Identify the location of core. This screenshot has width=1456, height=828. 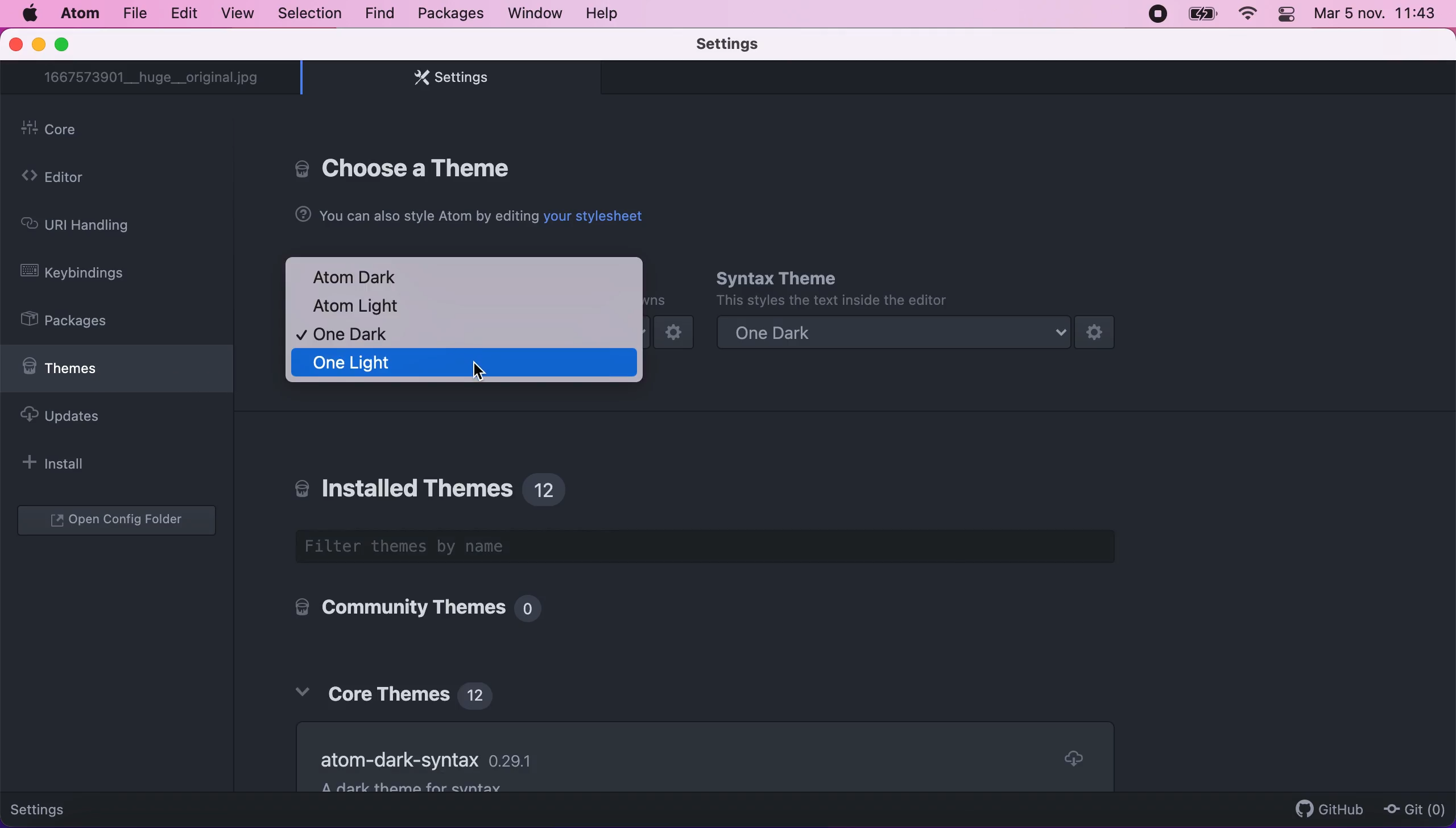
(123, 131).